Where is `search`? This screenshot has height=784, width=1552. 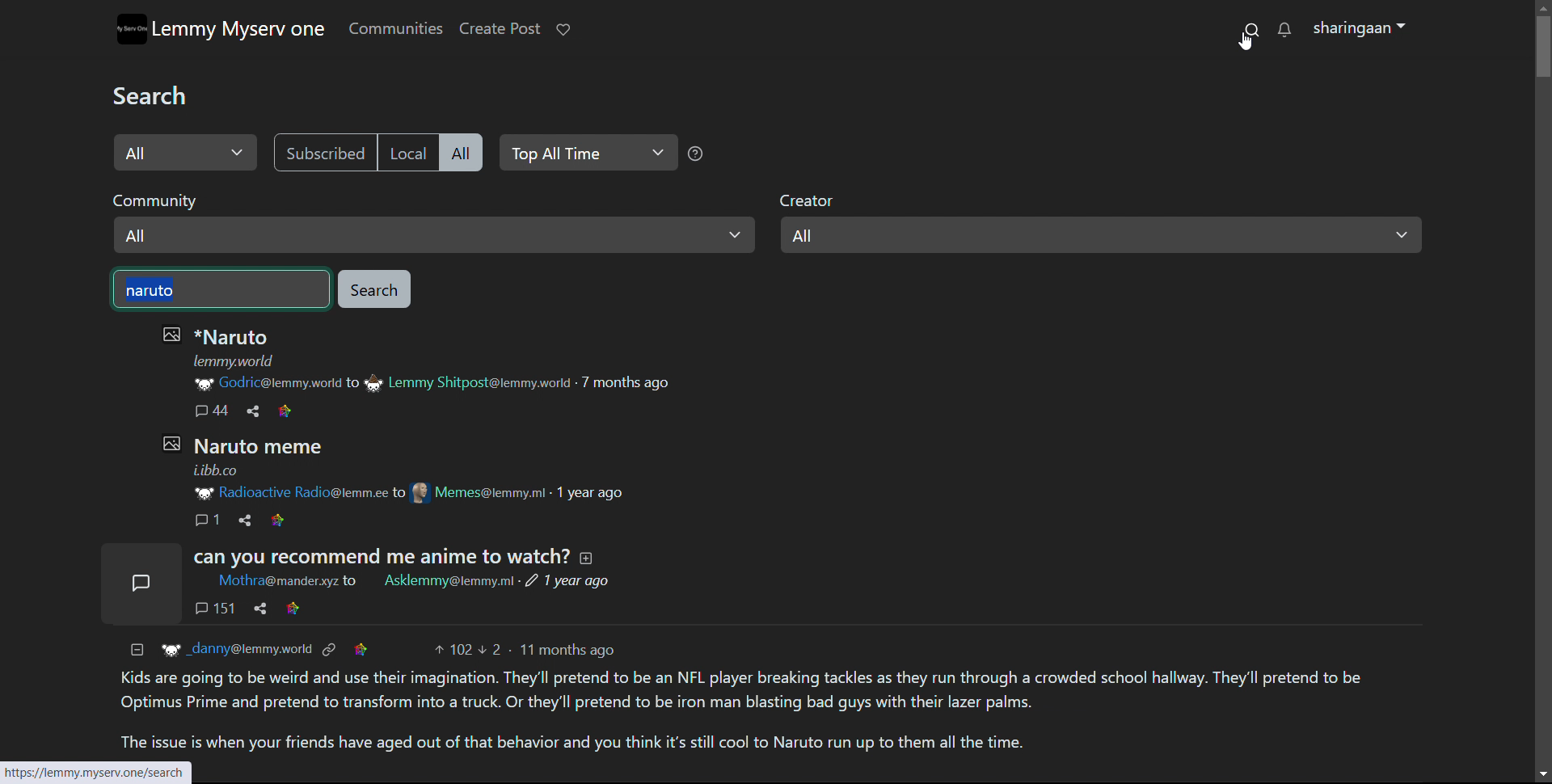 search is located at coordinates (373, 289).